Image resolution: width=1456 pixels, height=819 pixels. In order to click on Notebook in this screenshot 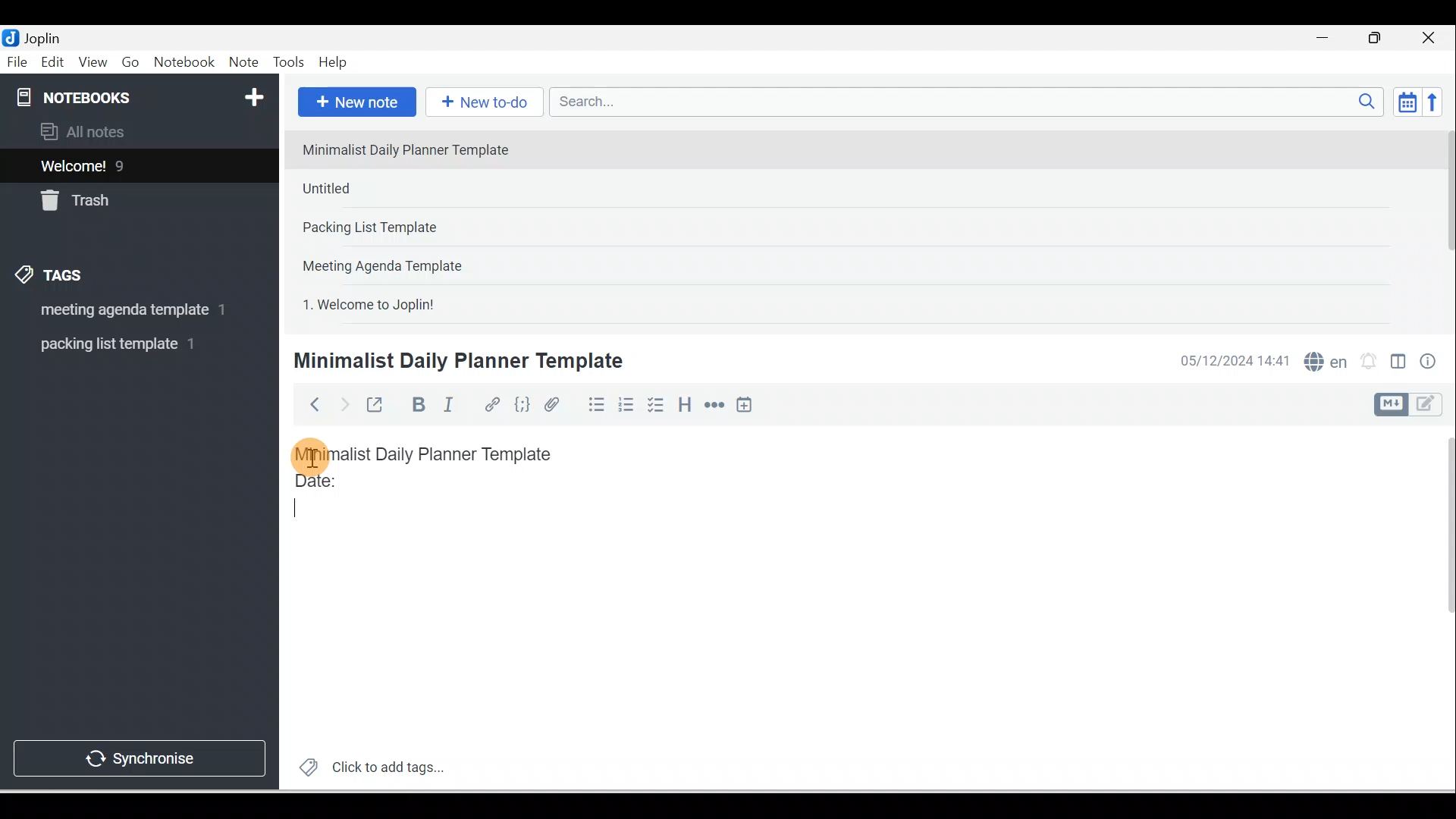, I will do `click(184, 63)`.